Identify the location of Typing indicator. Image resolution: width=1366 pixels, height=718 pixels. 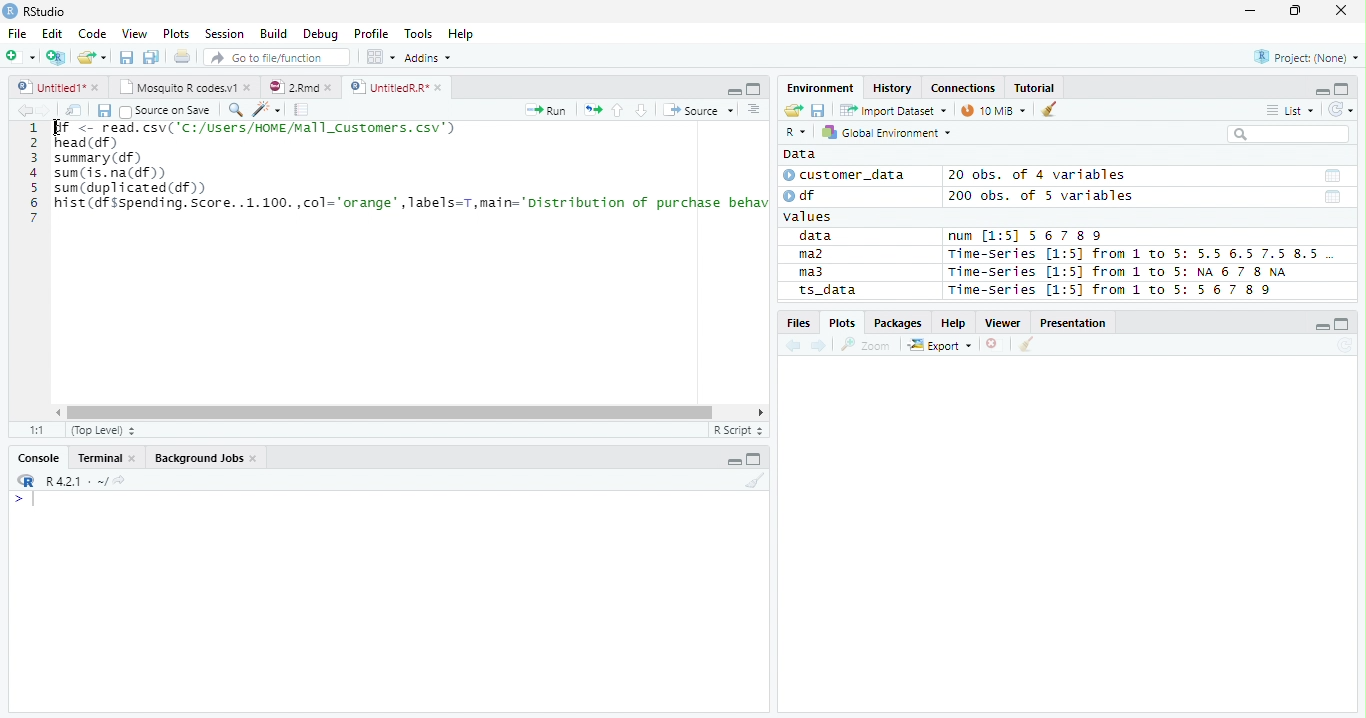
(33, 500).